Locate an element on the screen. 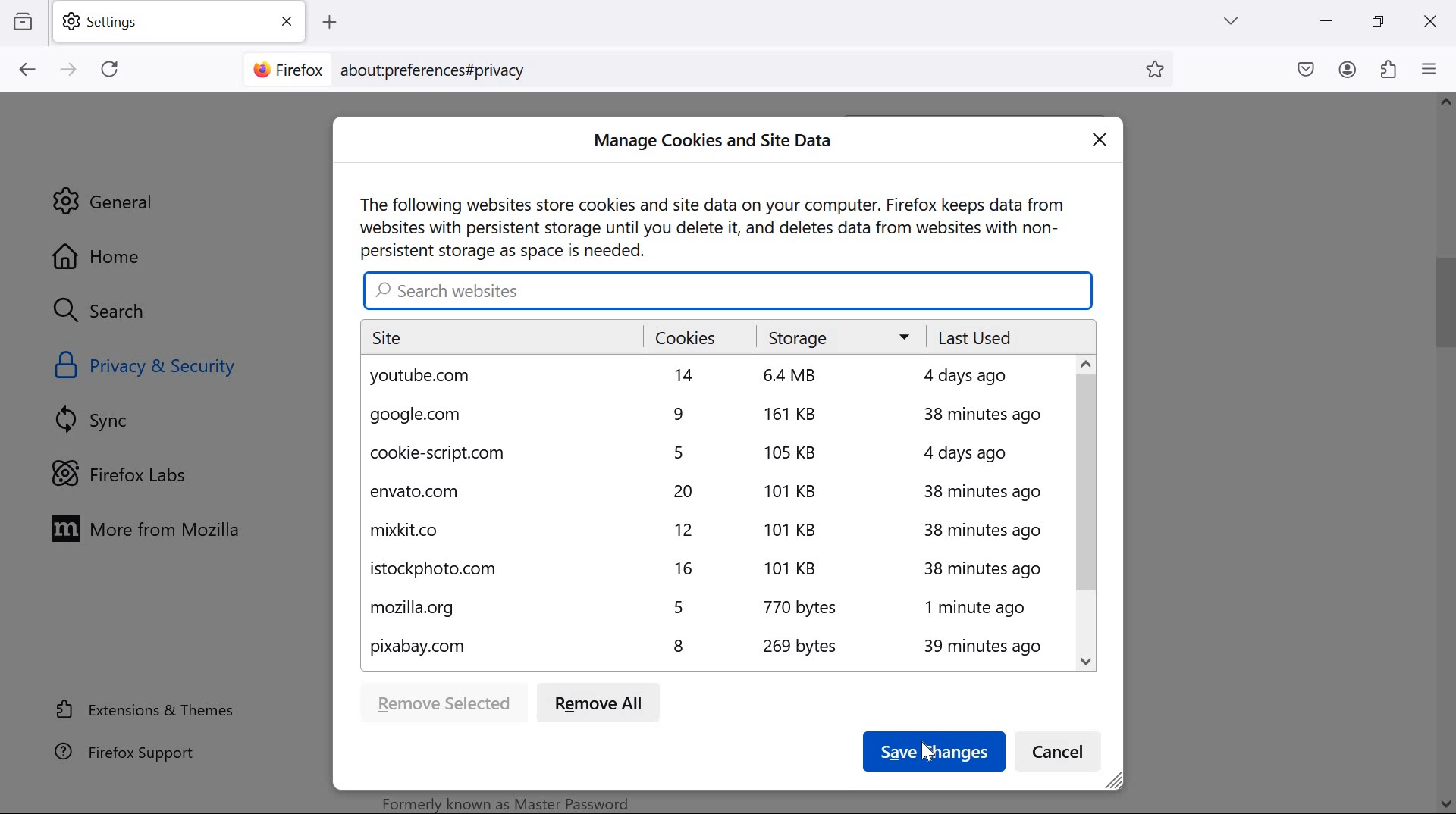  Privacy & security is located at coordinates (149, 366).